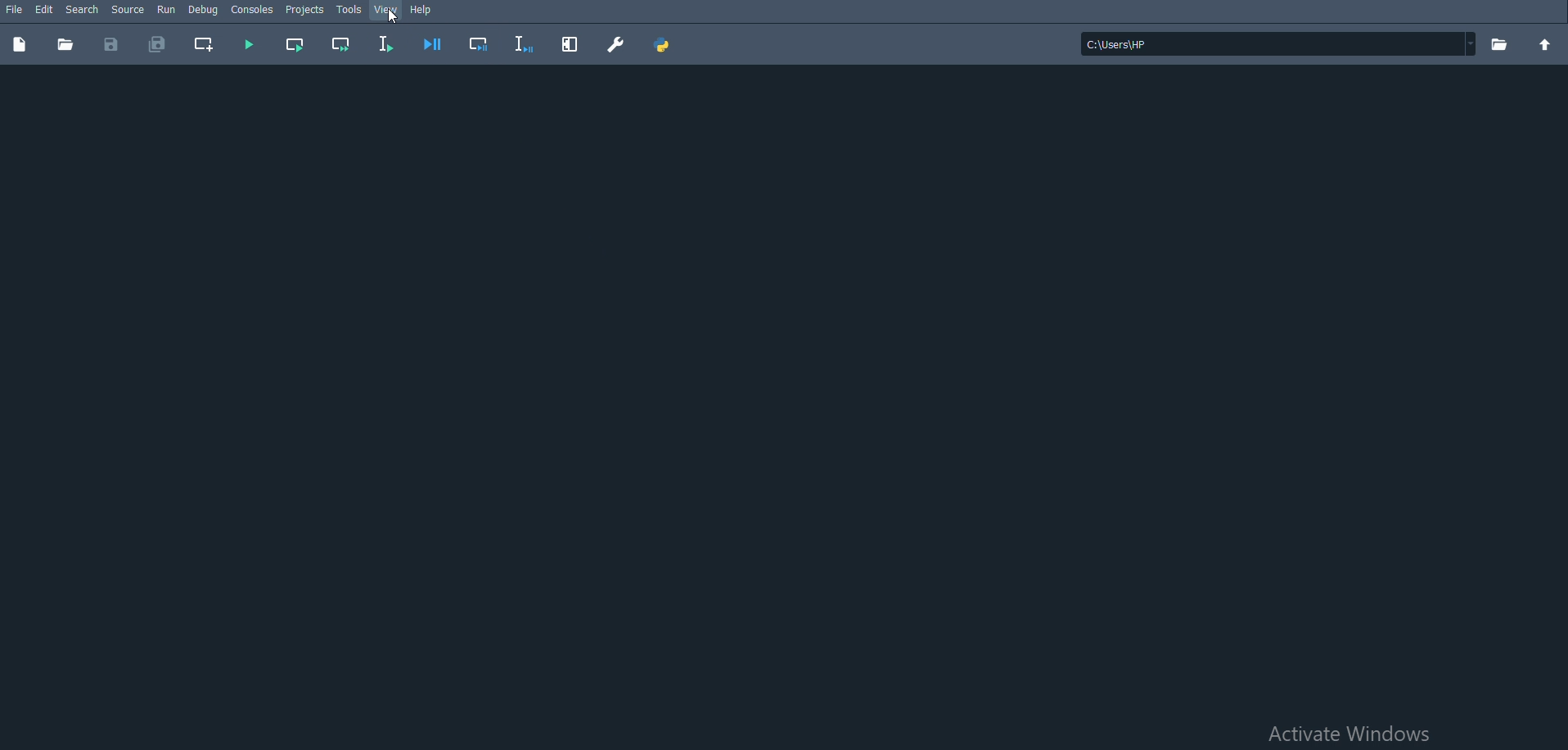  I want to click on Run selection or current line, so click(383, 43).